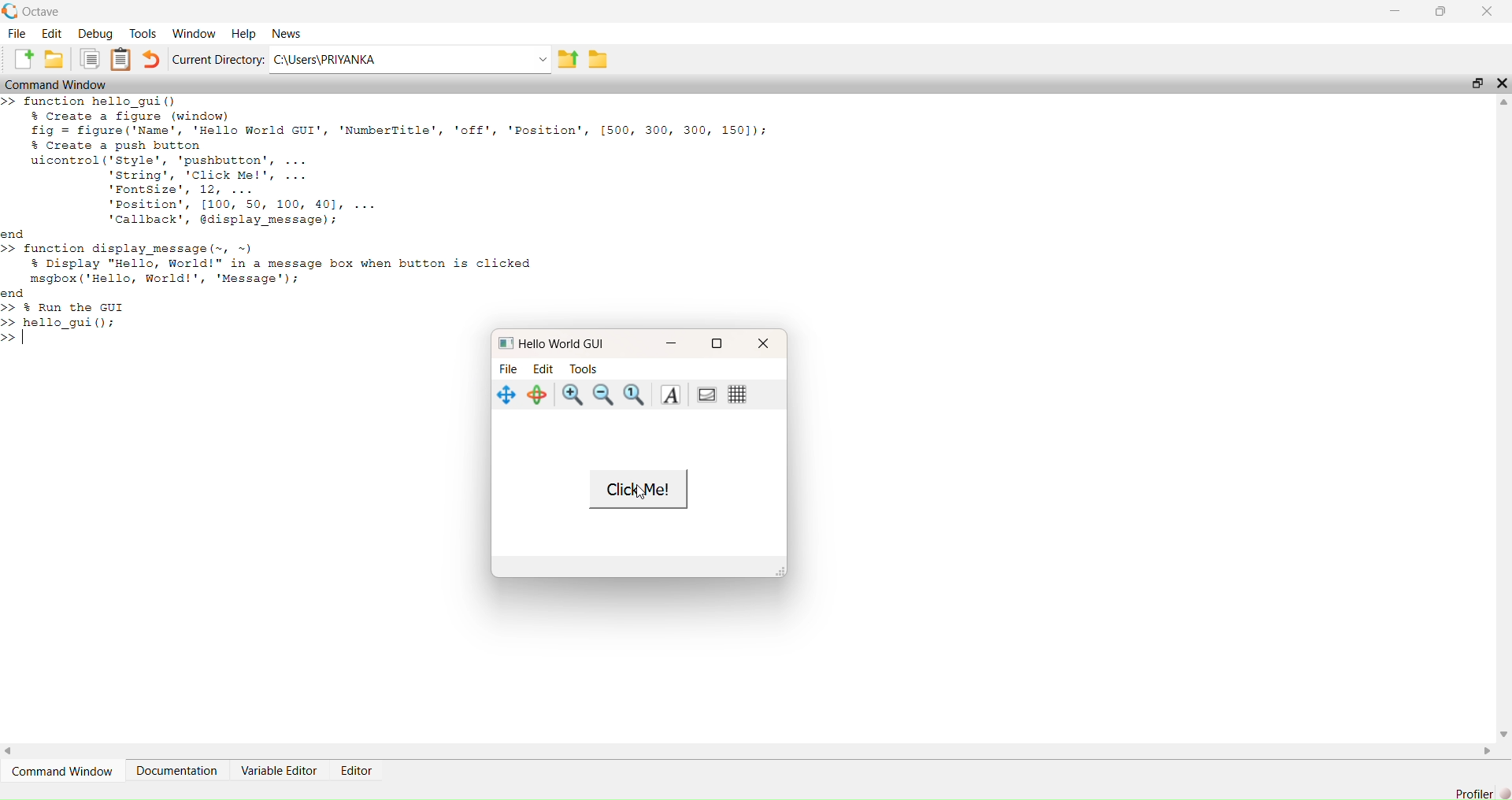 This screenshot has width=1512, height=800. Describe the element at coordinates (63, 84) in the screenshot. I see `Command Window` at that location.